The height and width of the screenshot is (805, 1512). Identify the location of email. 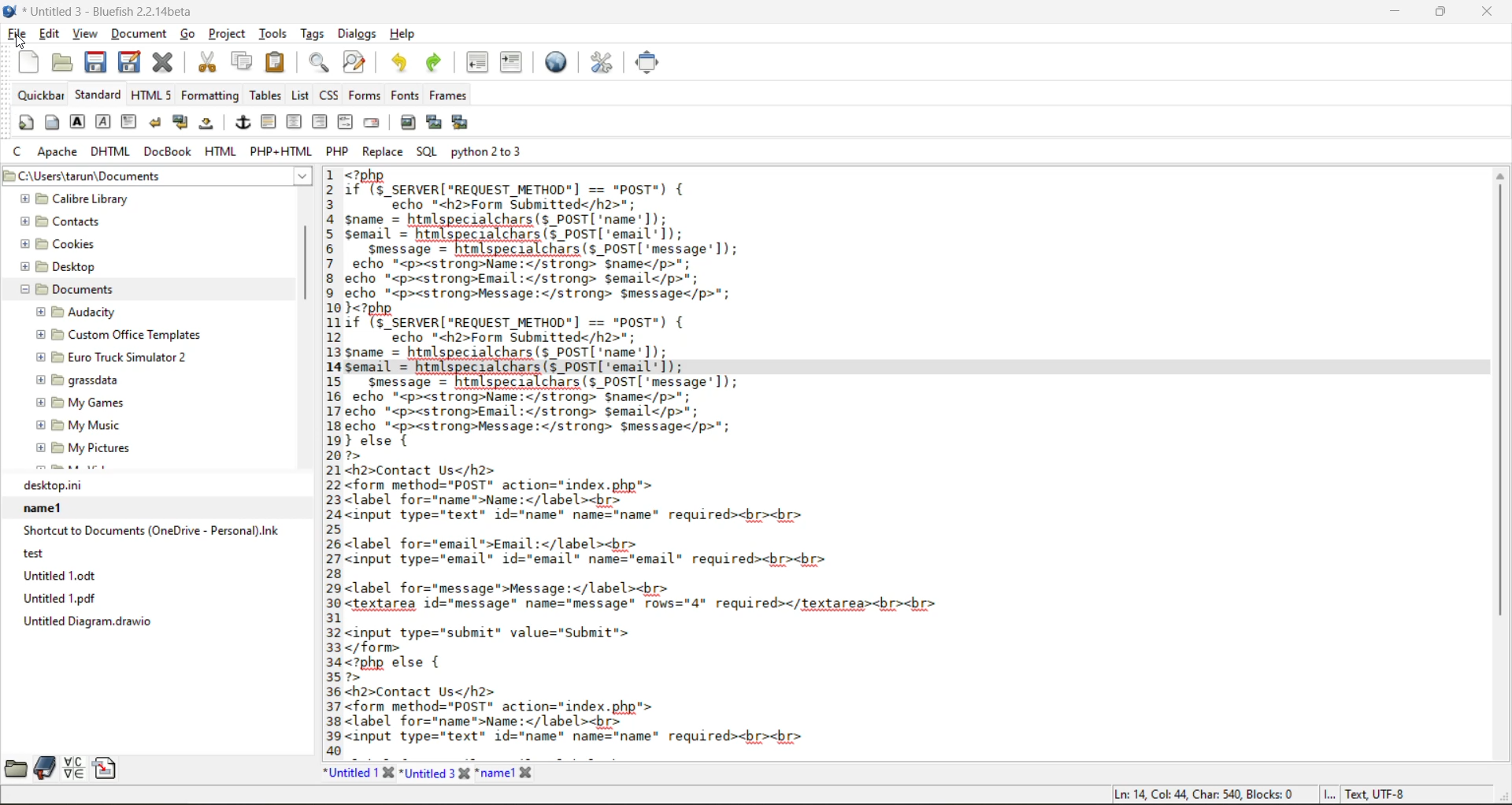
(374, 122).